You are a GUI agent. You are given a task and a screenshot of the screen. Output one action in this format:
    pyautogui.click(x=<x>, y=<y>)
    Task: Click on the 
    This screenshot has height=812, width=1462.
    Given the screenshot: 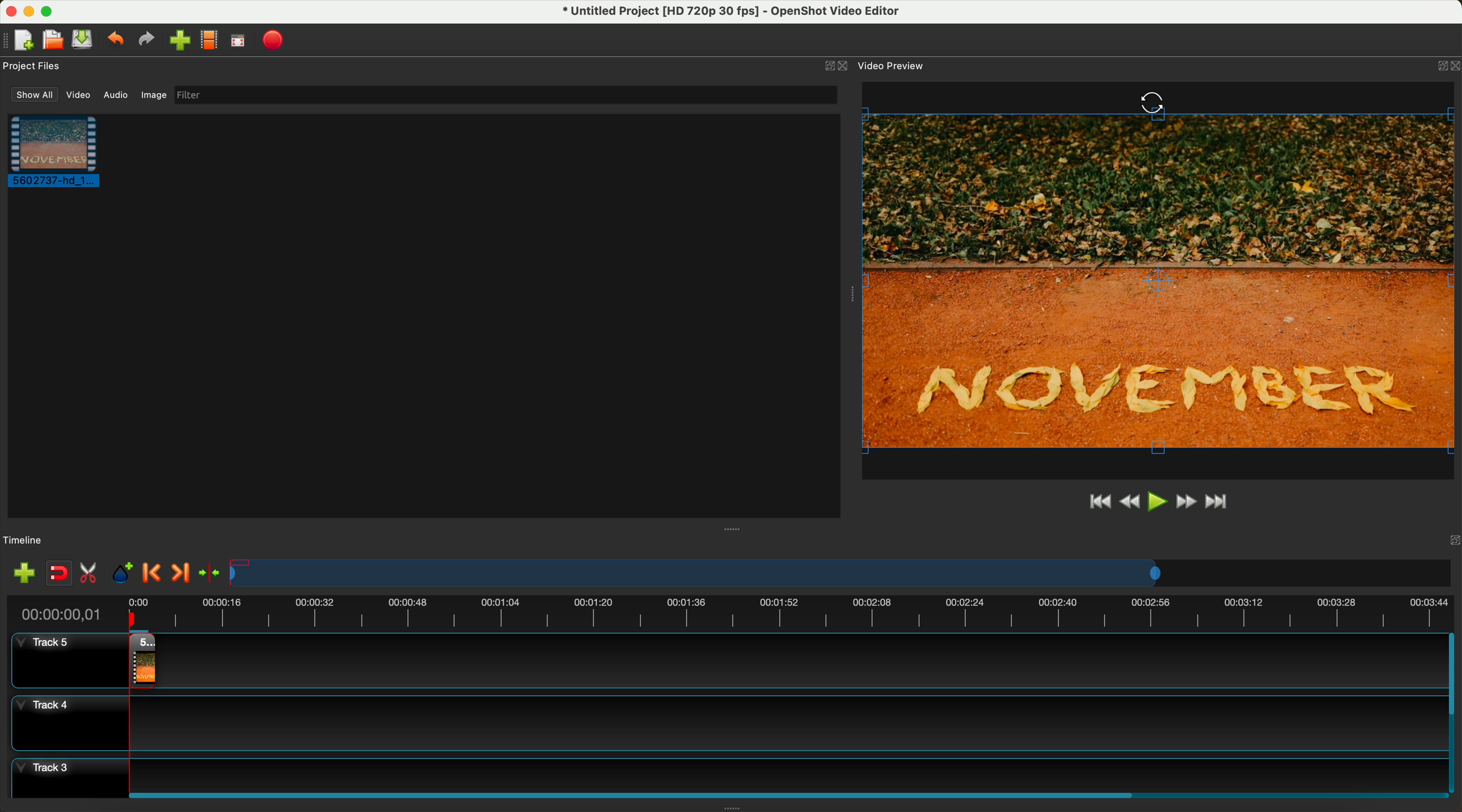 What is the action you would take?
    pyautogui.click(x=1153, y=104)
    